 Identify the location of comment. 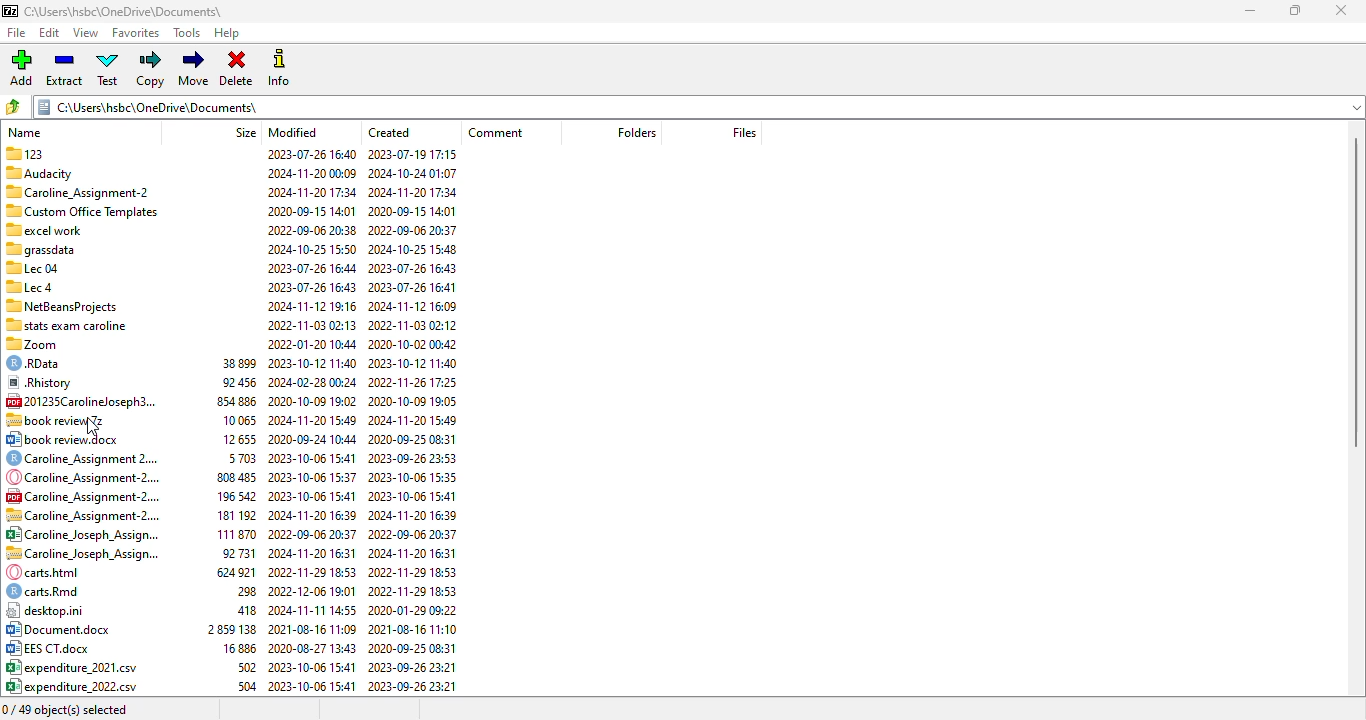
(497, 133).